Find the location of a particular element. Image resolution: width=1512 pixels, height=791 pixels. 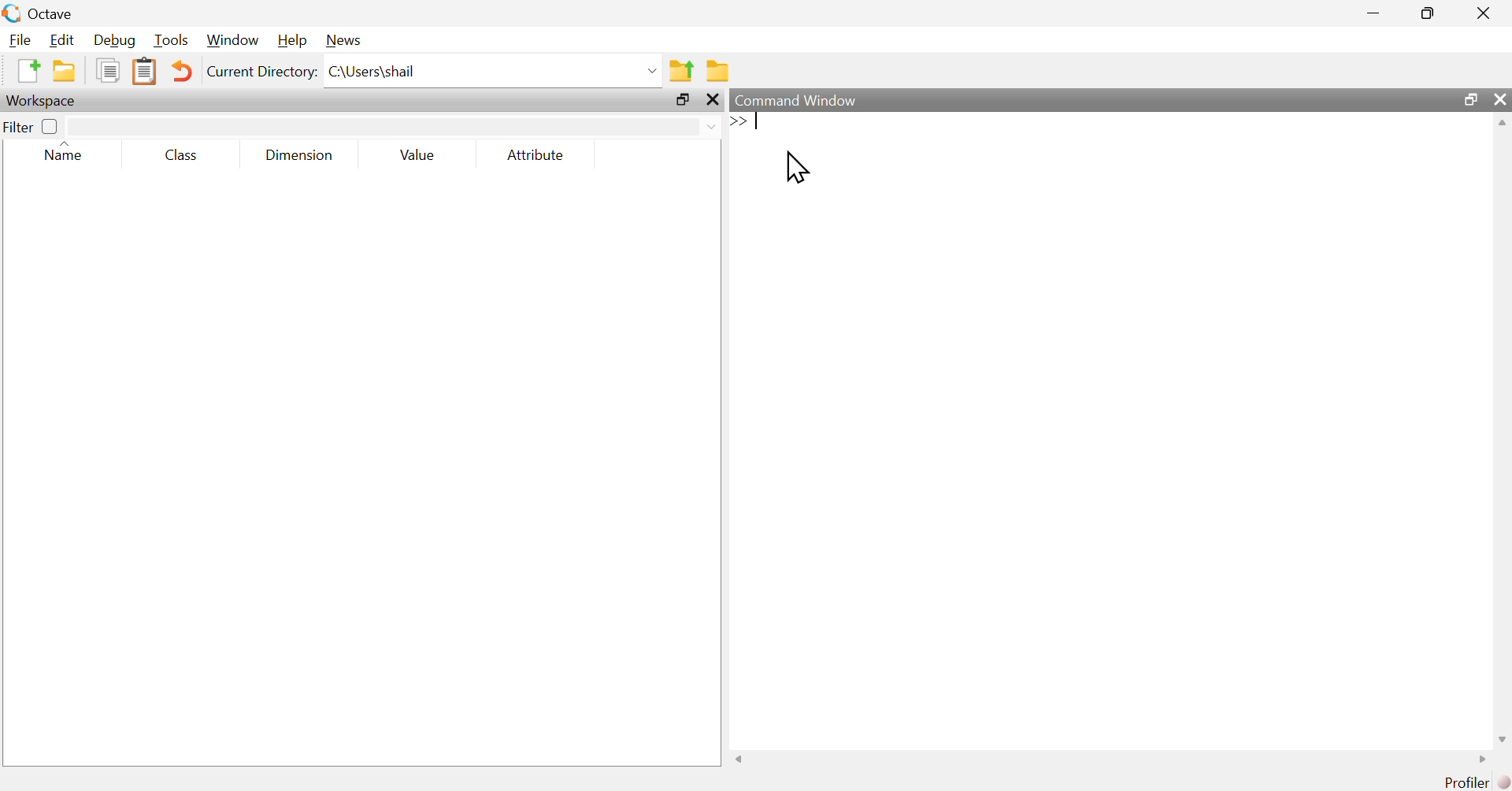

>> is located at coordinates (738, 121).